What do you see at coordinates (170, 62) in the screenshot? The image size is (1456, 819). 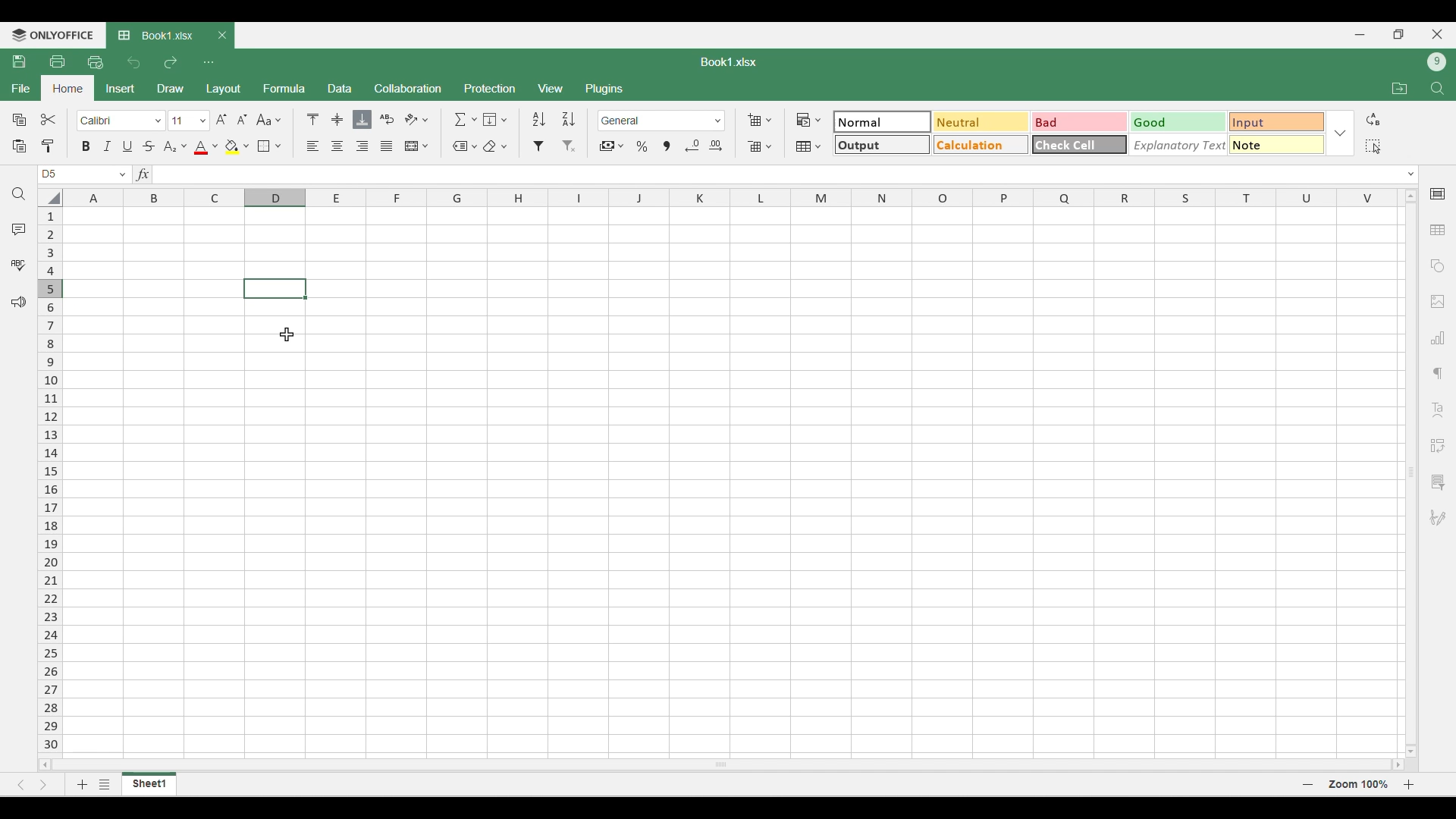 I see `Redo` at bounding box center [170, 62].